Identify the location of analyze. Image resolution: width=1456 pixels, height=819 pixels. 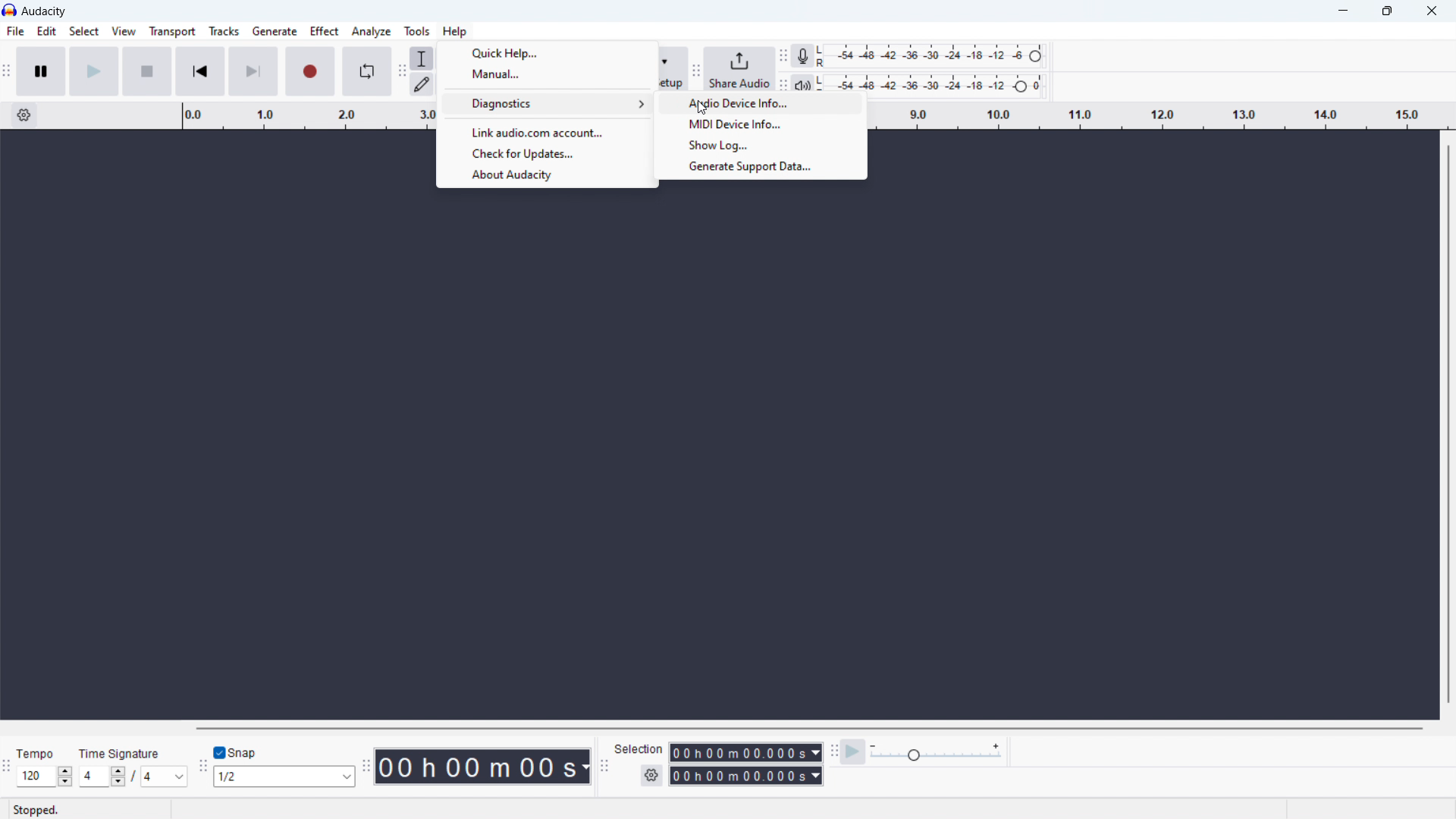
(371, 31).